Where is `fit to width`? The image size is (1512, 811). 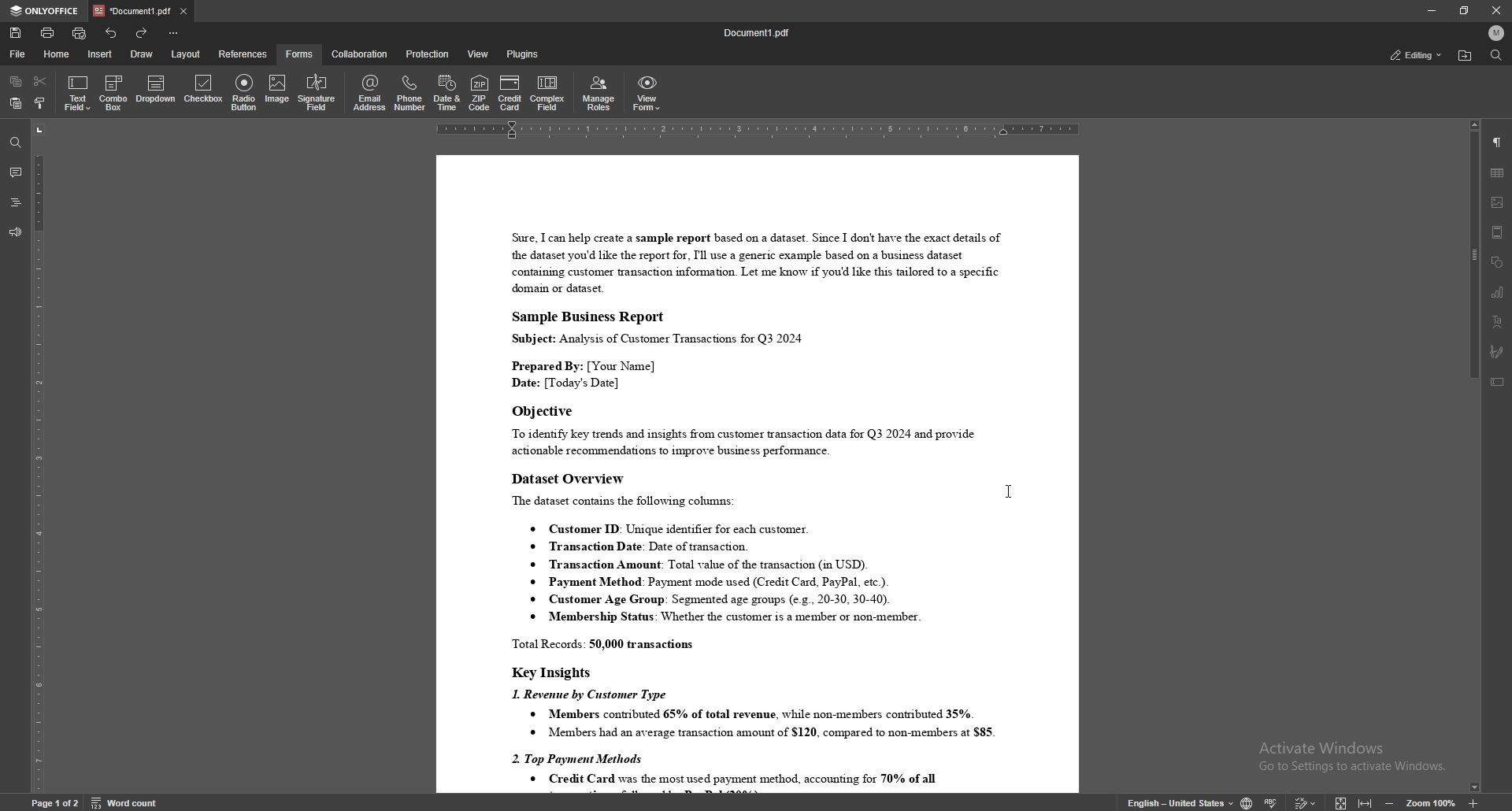 fit to width is located at coordinates (1366, 799).